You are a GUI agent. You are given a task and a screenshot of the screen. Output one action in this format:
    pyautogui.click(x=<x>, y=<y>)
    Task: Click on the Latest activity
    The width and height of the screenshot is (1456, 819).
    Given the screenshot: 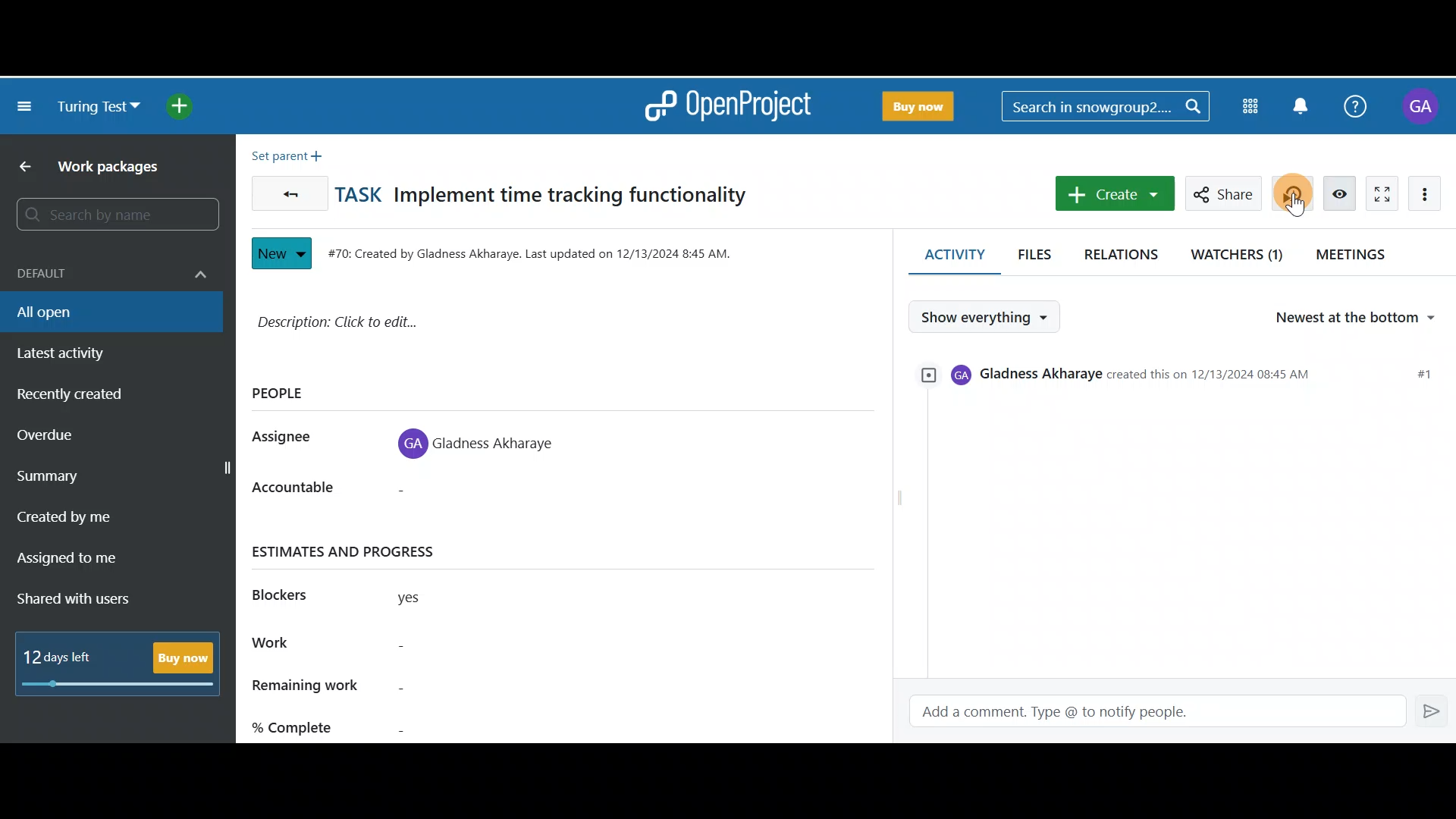 What is the action you would take?
    pyautogui.click(x=83, y=354)
    